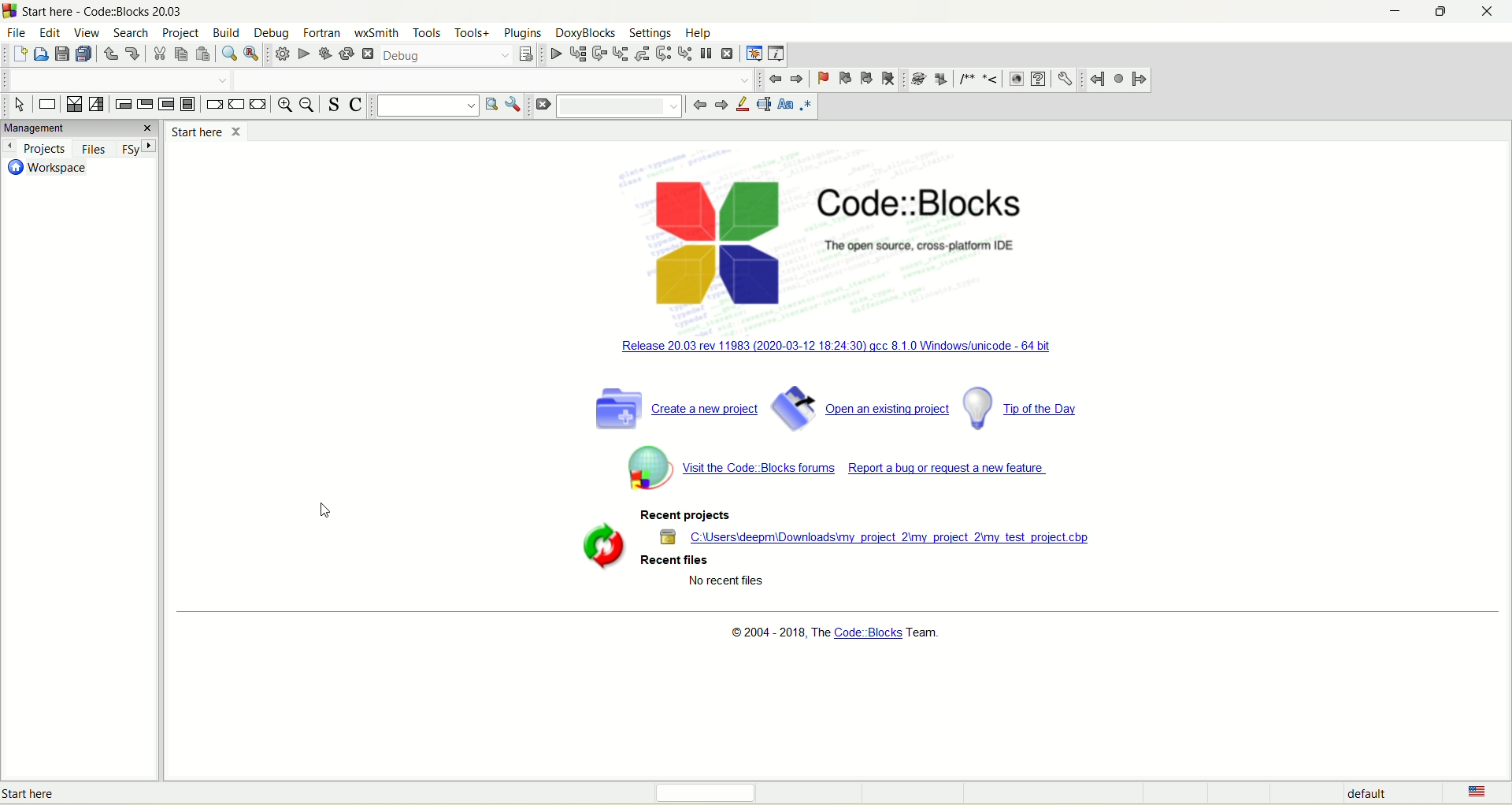 Image resolution: width=1512 pixels, height=805 pixels. What do you see at coordinates (625, 106) in the screenshot?
I see `blank space` at bounding box center [625, 106].